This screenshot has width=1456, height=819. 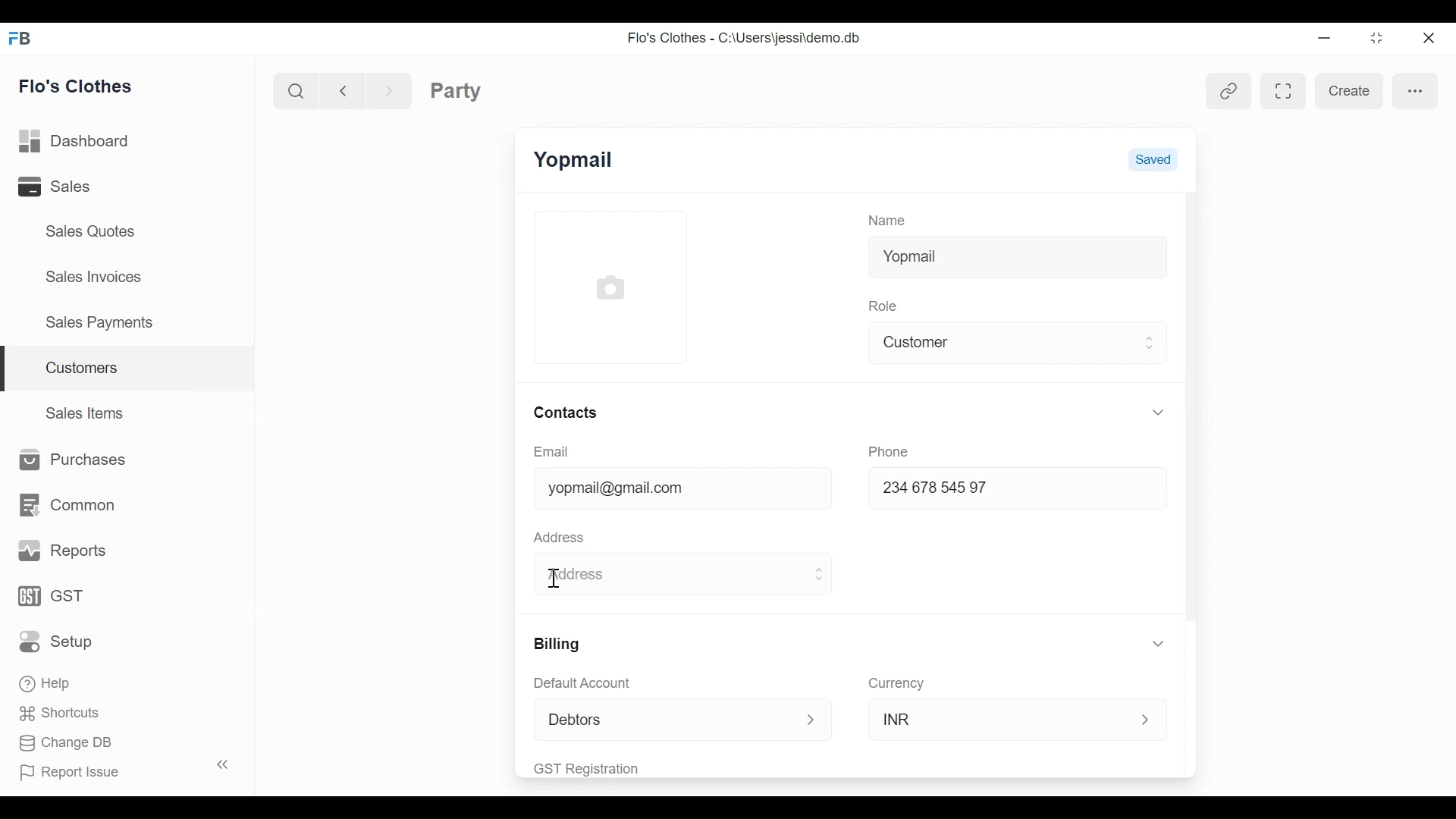 I want to click on Billing, so click(x=558, y=644).